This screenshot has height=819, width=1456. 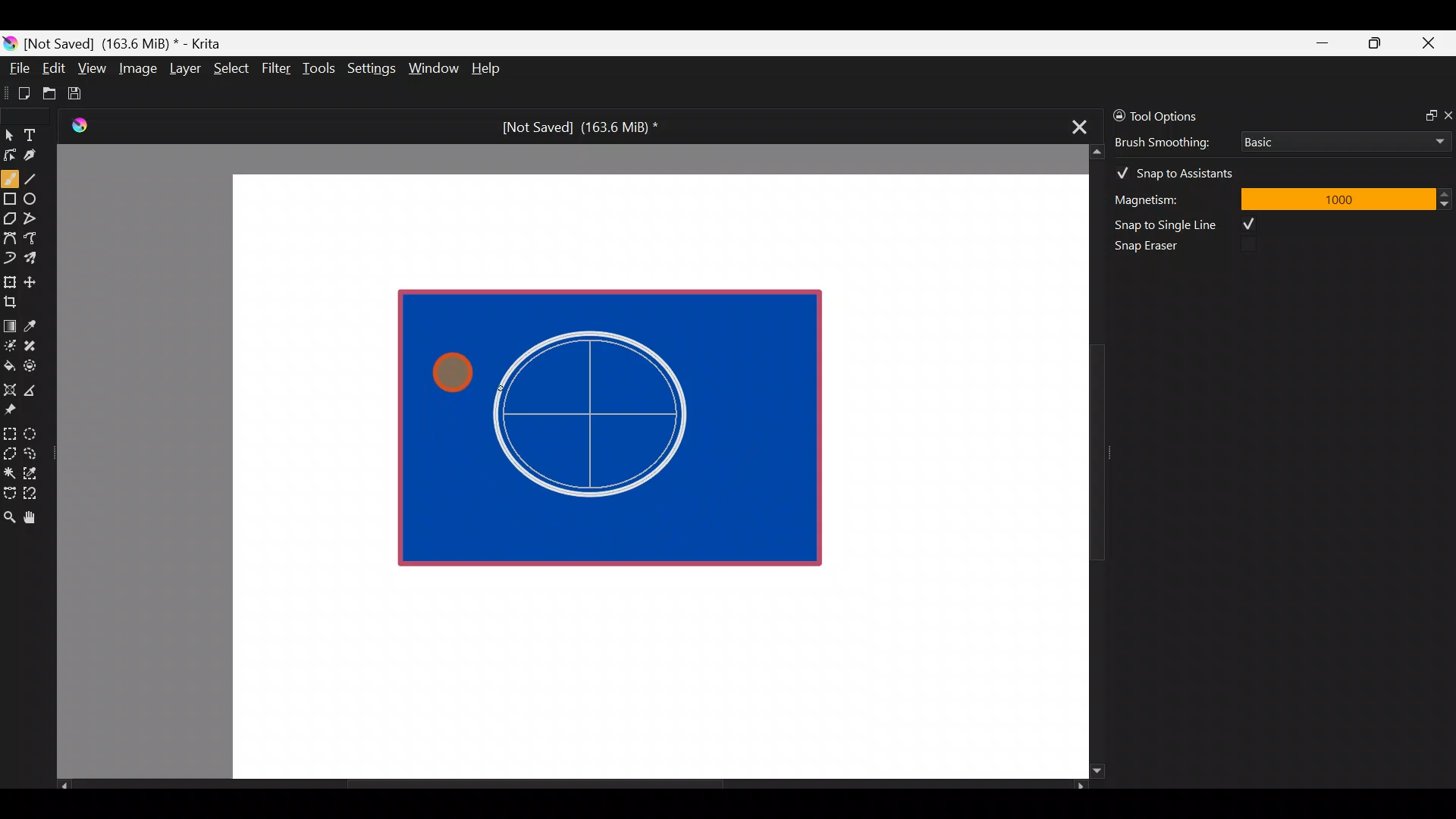 What do you see at coordinates (9, 279) in the screenshot?
I see `Transform a layer/selection` at bounding box center [9, 279].